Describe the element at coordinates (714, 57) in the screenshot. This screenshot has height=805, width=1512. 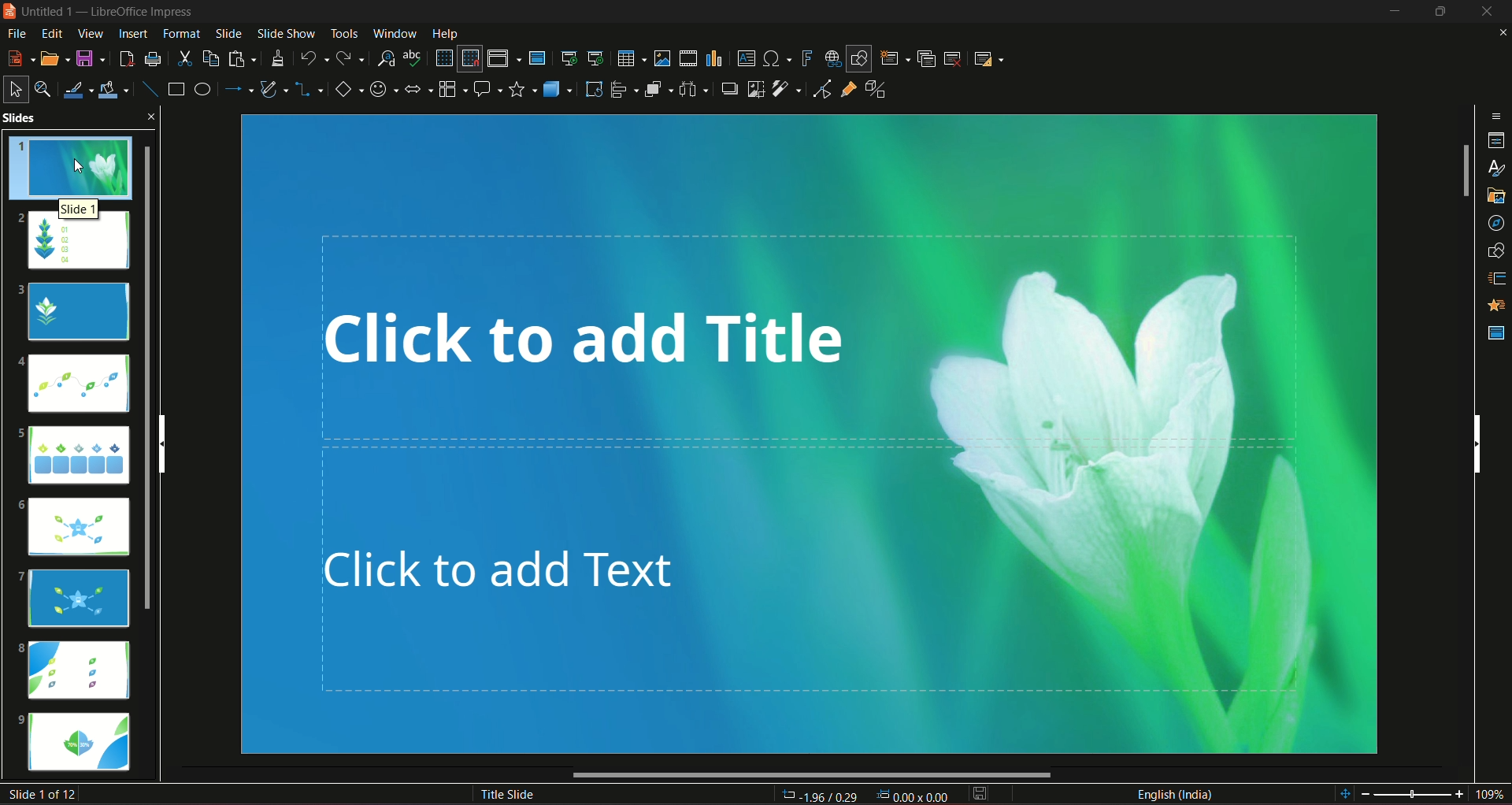
I see `insert chart` at that location.